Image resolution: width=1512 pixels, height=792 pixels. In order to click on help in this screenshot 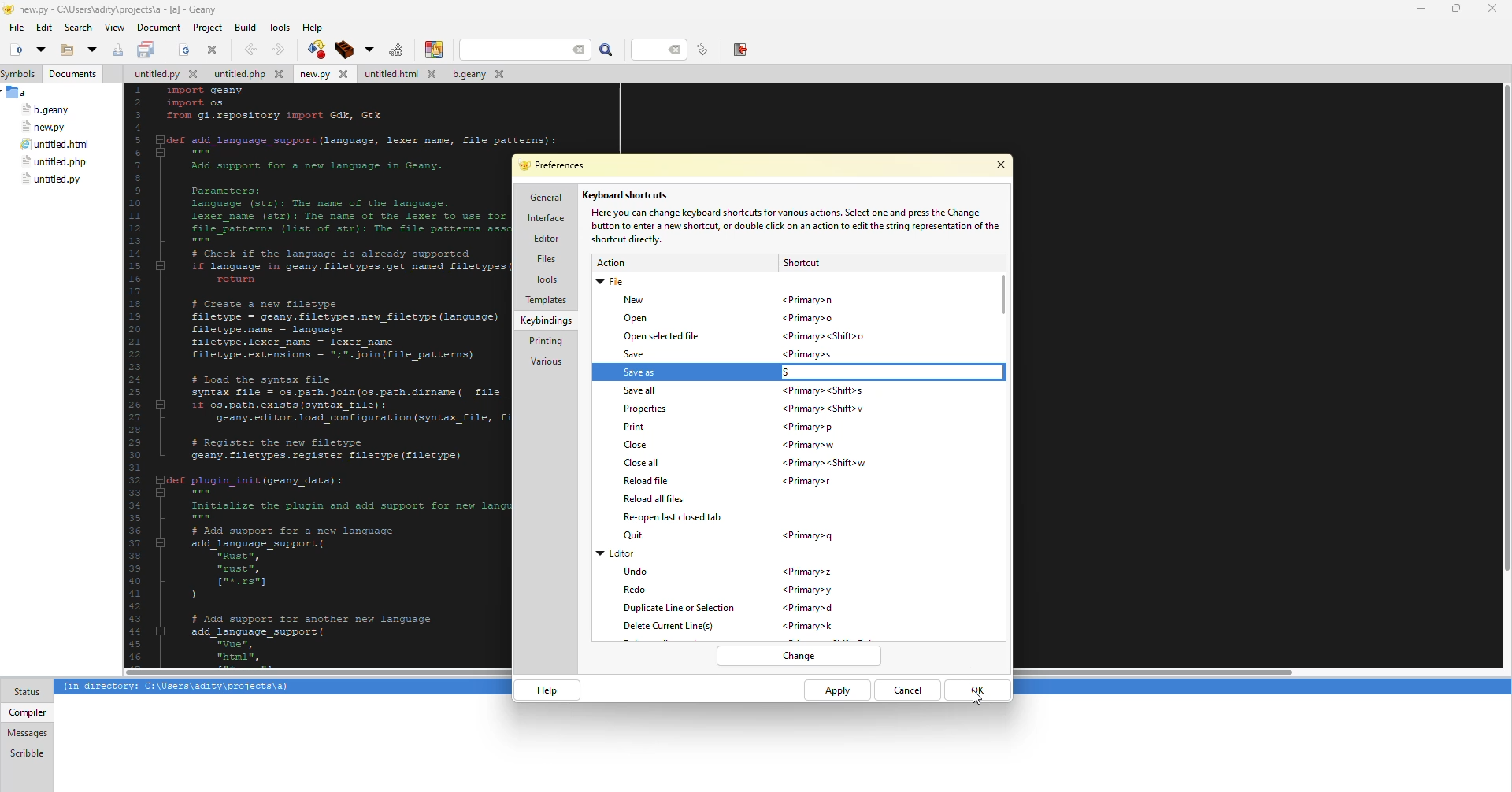, I will do `click(313, 27)`.